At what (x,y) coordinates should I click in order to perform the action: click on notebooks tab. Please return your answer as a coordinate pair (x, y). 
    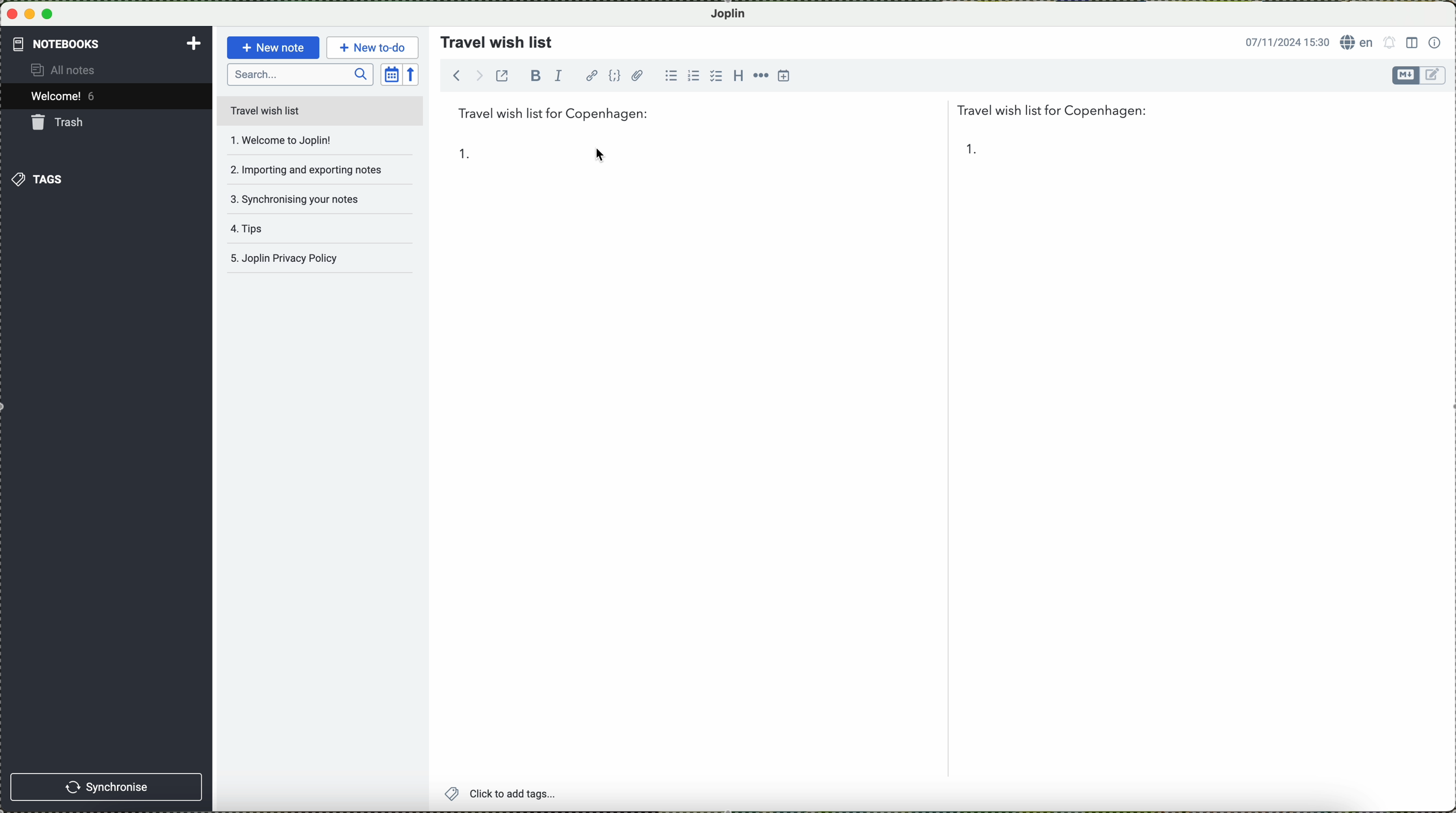
    Looking at the image, I should click on (107, 44).